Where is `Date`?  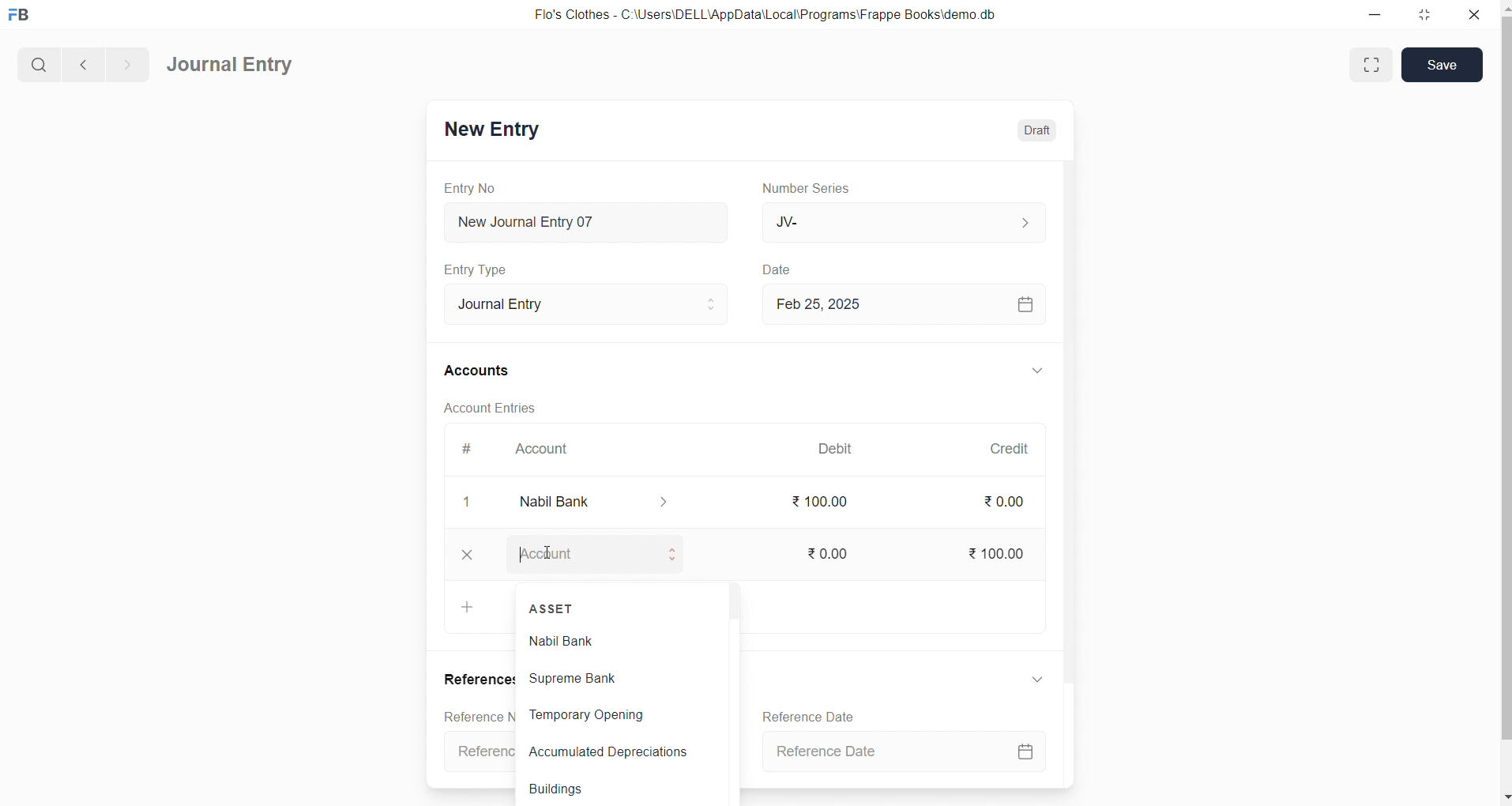 Date is located at coordinates (785, 269).